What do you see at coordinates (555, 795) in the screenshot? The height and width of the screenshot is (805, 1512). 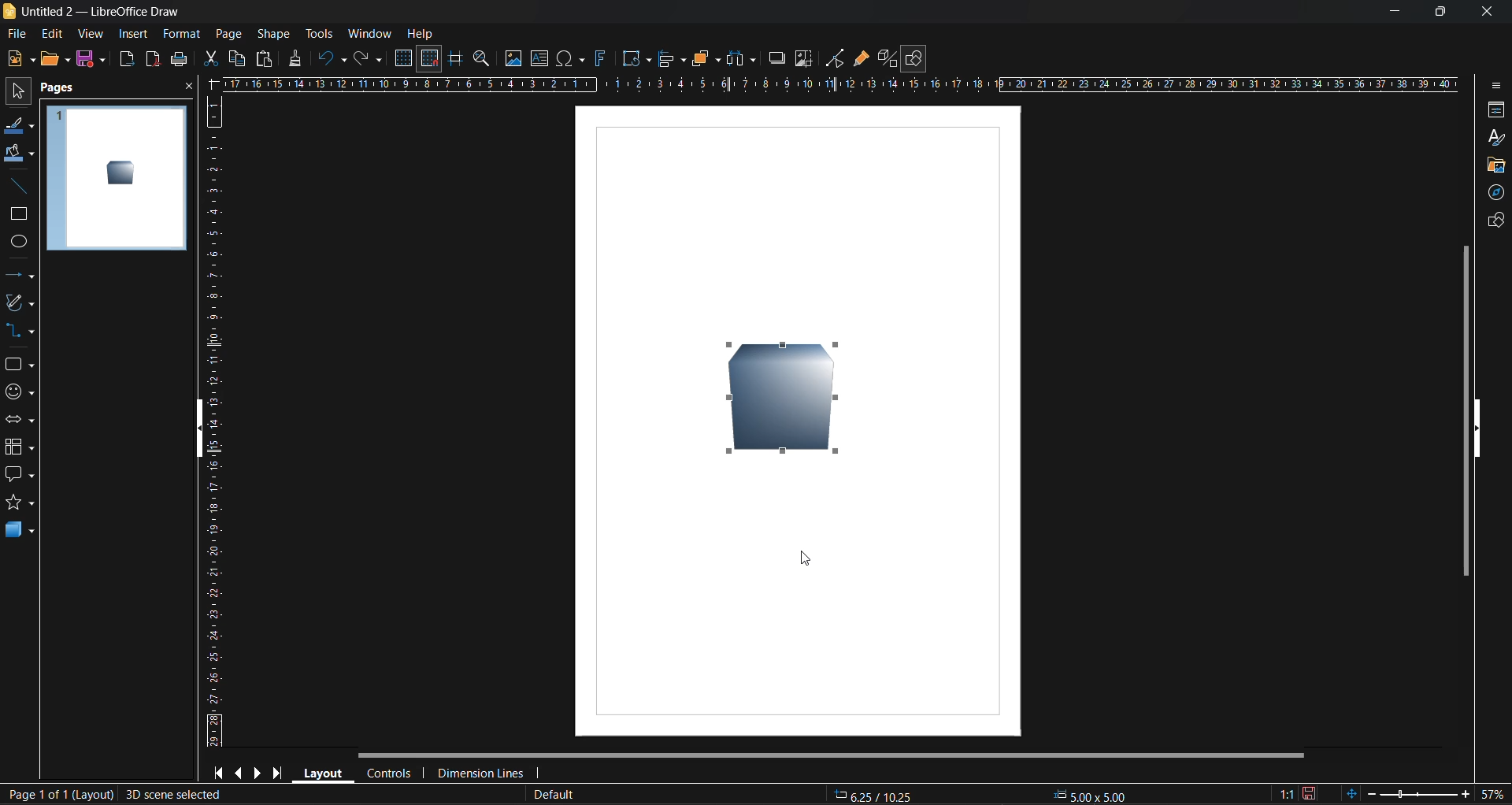 I see `slide master name` at bounding box center [555, 795].